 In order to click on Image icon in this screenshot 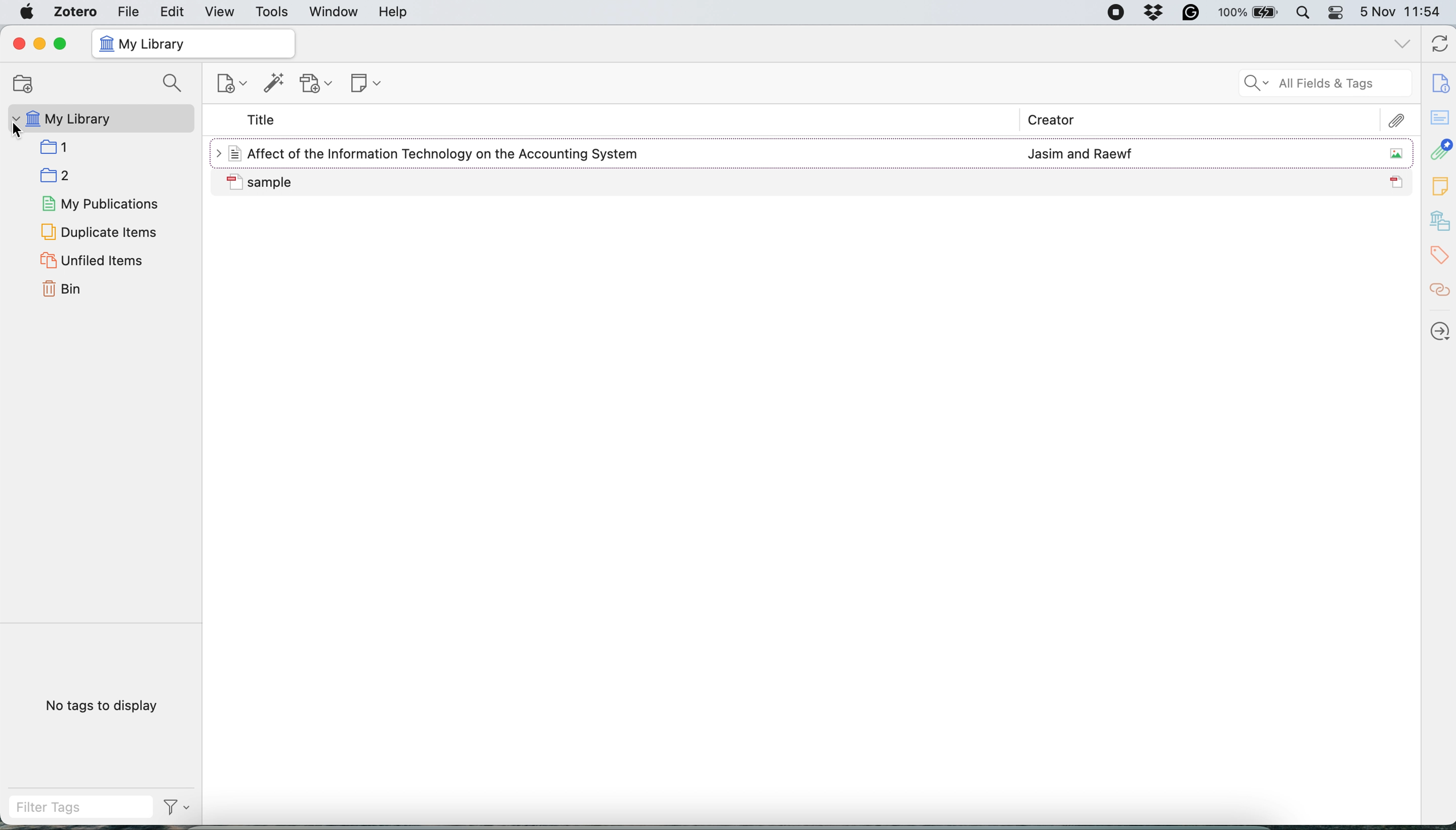, I will do `click(1389, 154)`.